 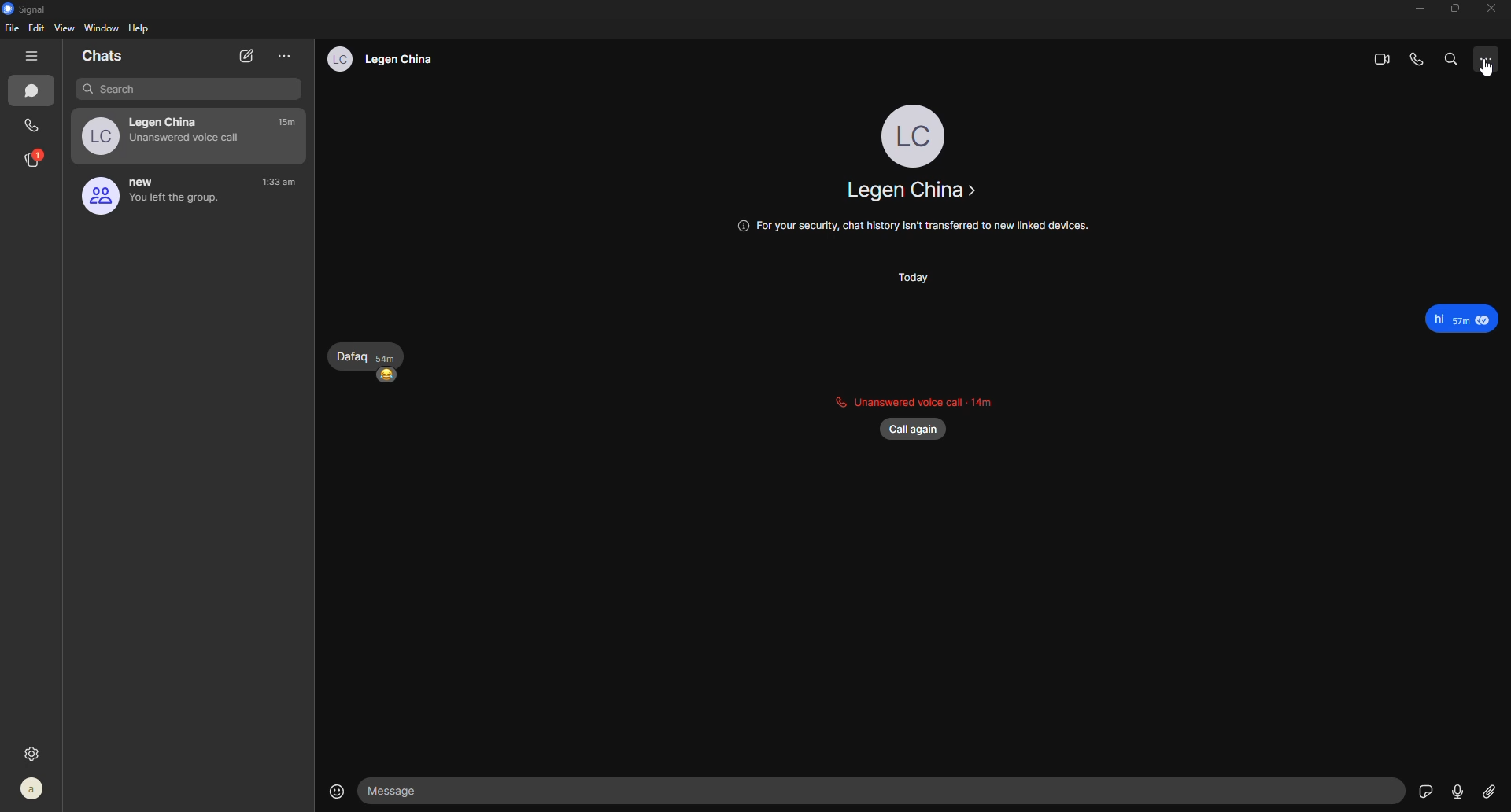 I want to click on chats, so click(x=35, y=93).